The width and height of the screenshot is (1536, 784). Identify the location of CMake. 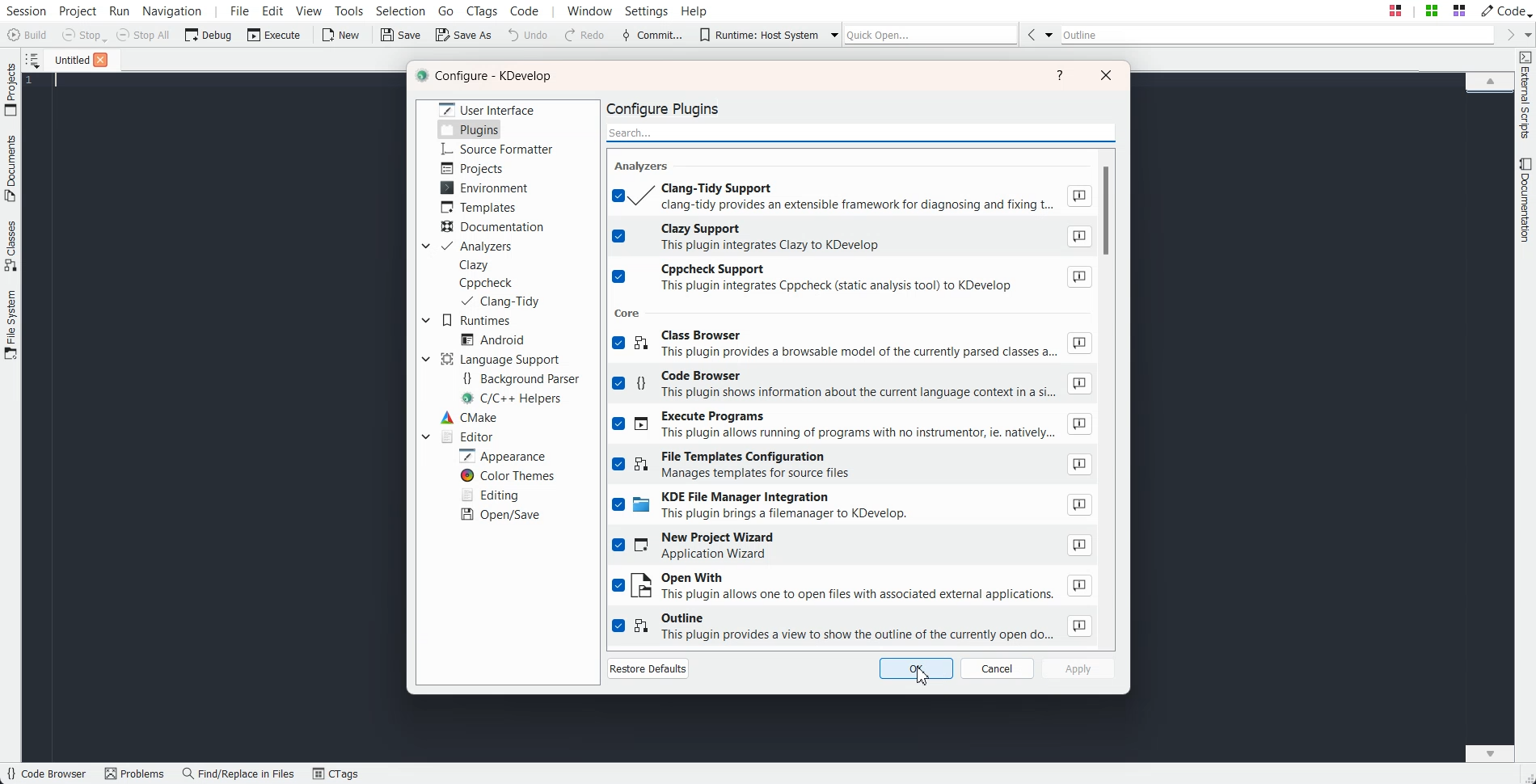
(468, 418).